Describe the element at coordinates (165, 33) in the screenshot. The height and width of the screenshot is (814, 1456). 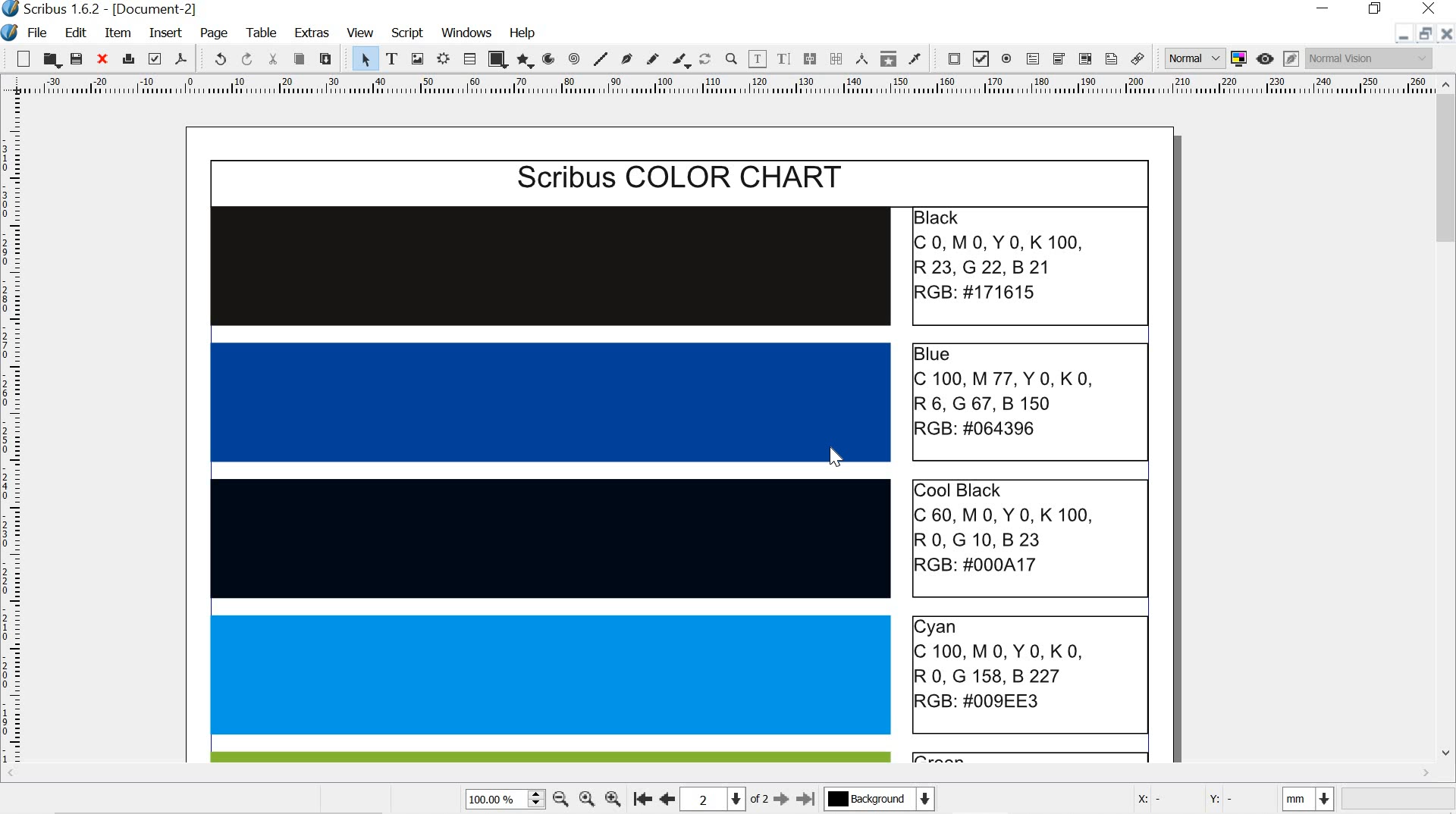
I see `insert` at that location.